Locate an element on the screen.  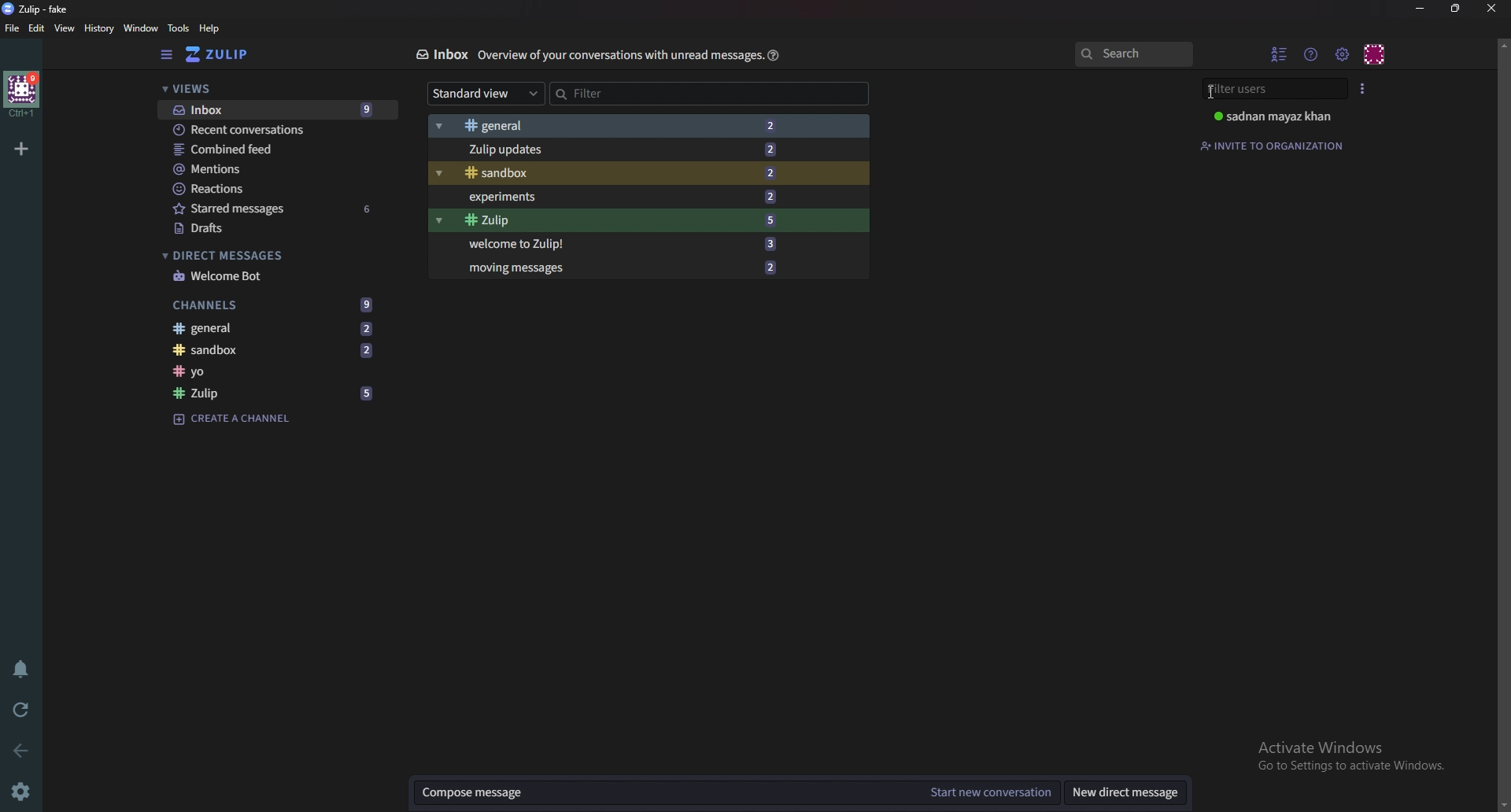
Standard view is located at coordinates (482, 93).